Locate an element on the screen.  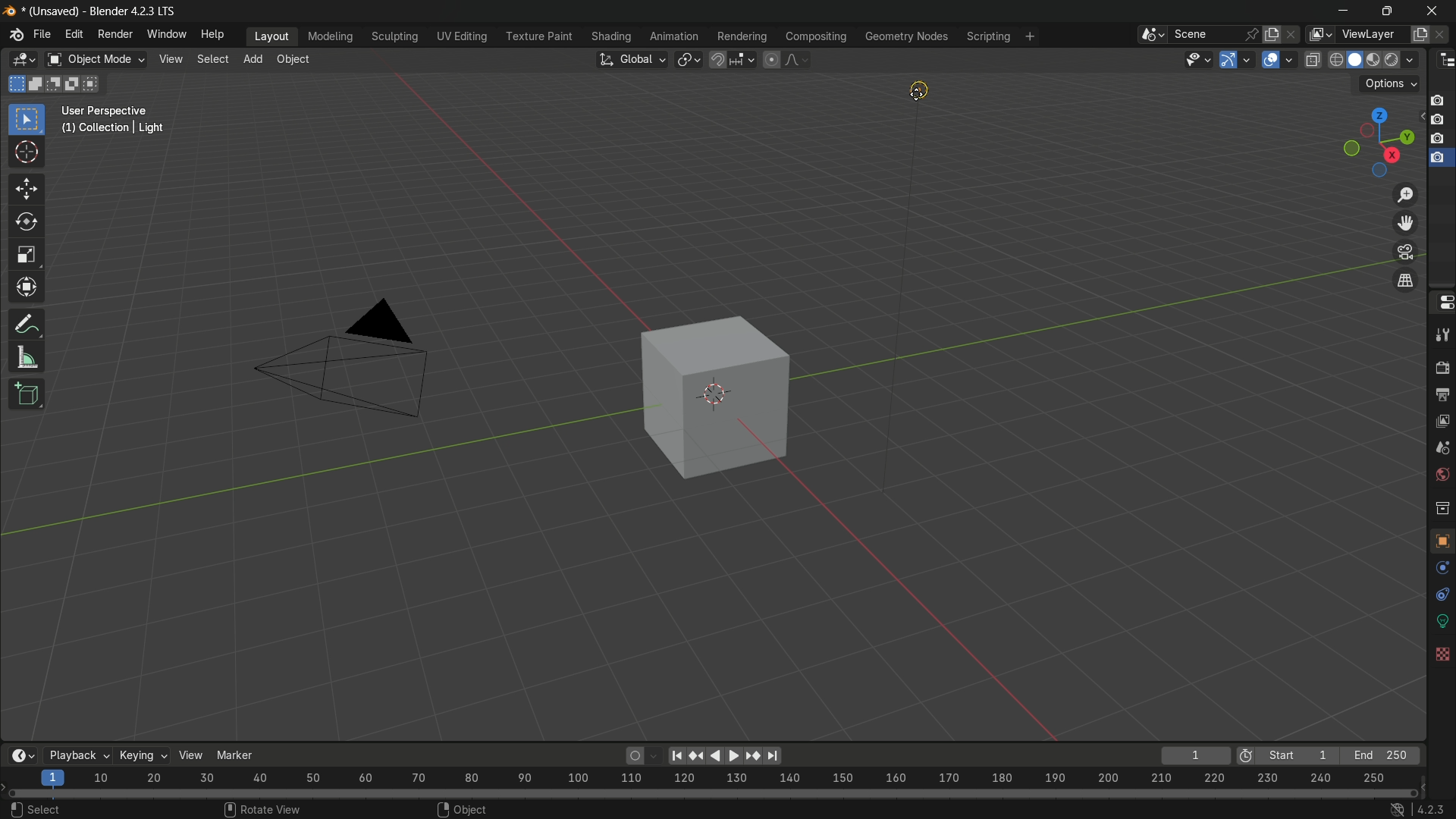
cursor is located at coordinates (28, 155).